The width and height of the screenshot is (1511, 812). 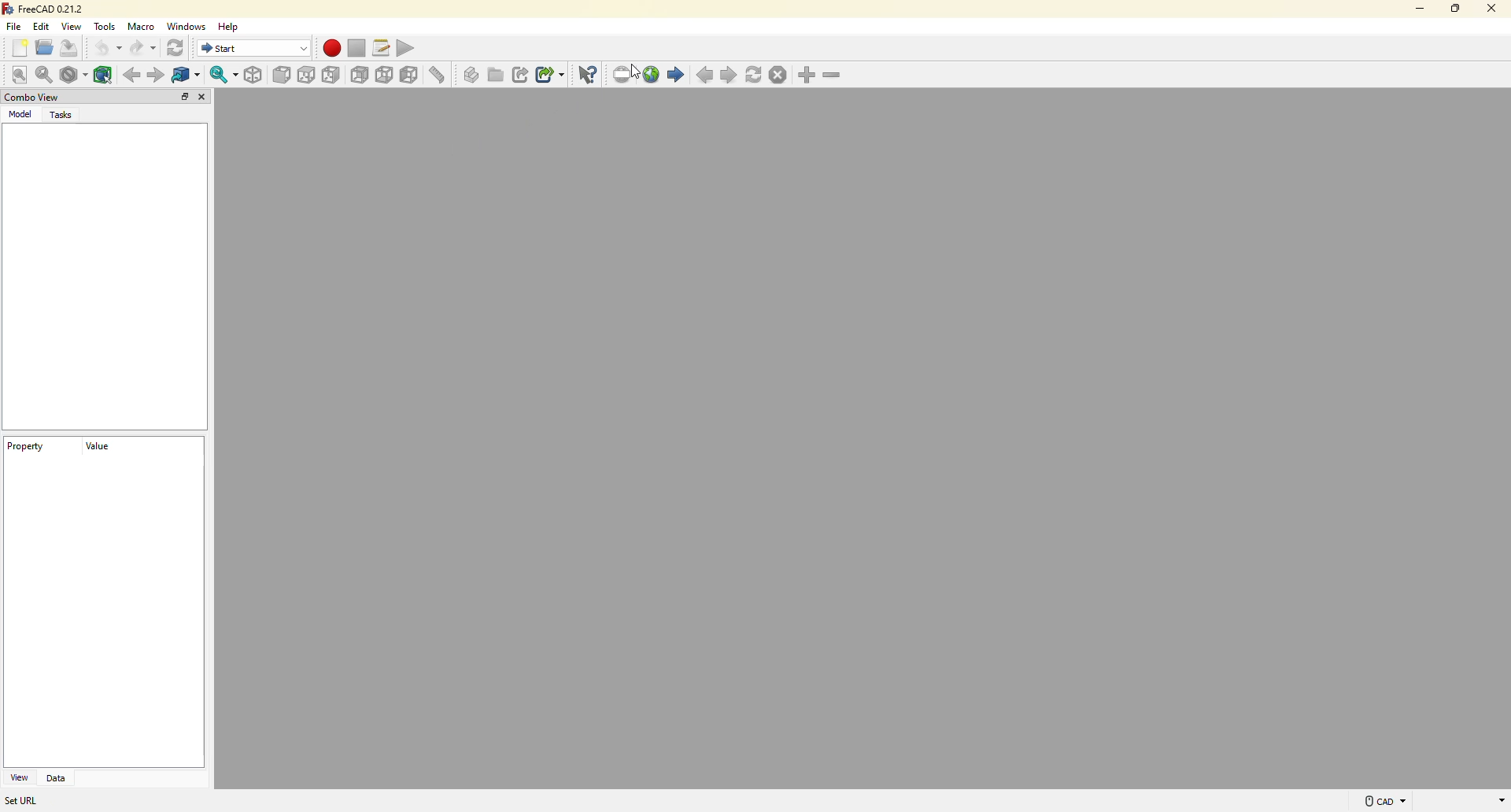 I want to click on fit all, so click(x=19, y=75).